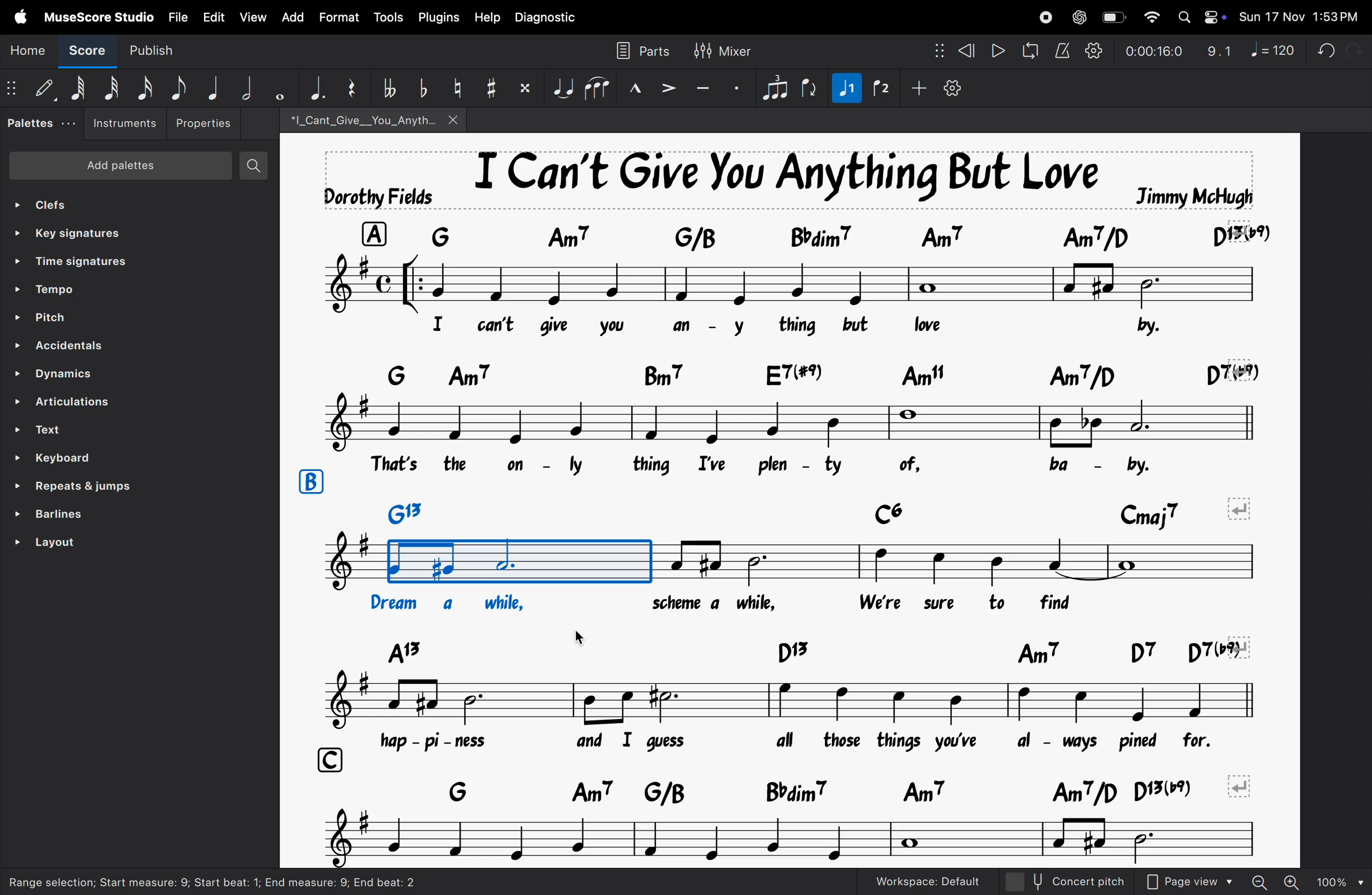 The image size is (1372, 895). What do you see at coordinates (1085, 881) in the screenshot?
I see `concept pitch` at bounding box center [1085, 881].